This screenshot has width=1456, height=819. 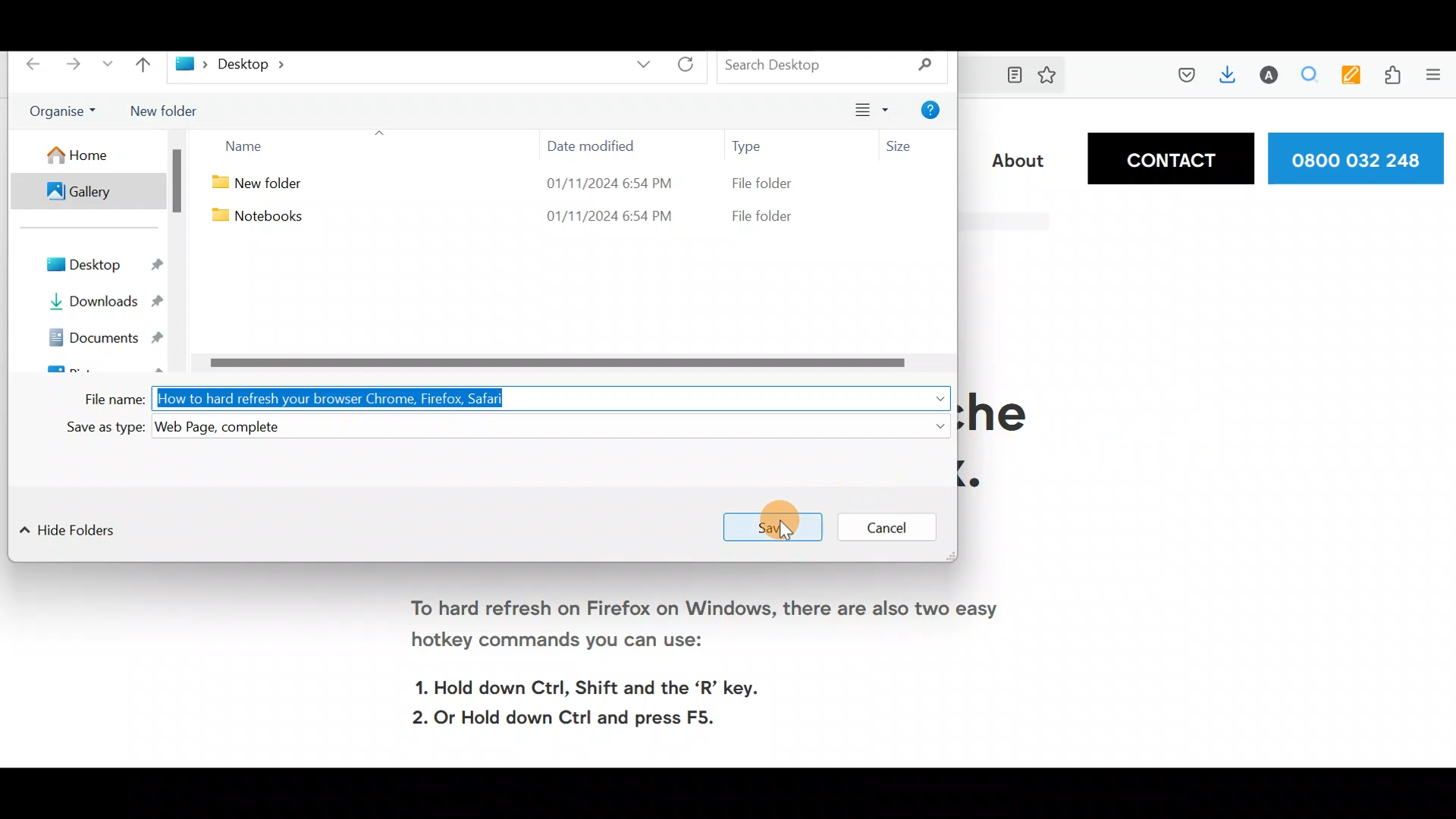 I want to click on Cancel, so click(x=886, y=526).